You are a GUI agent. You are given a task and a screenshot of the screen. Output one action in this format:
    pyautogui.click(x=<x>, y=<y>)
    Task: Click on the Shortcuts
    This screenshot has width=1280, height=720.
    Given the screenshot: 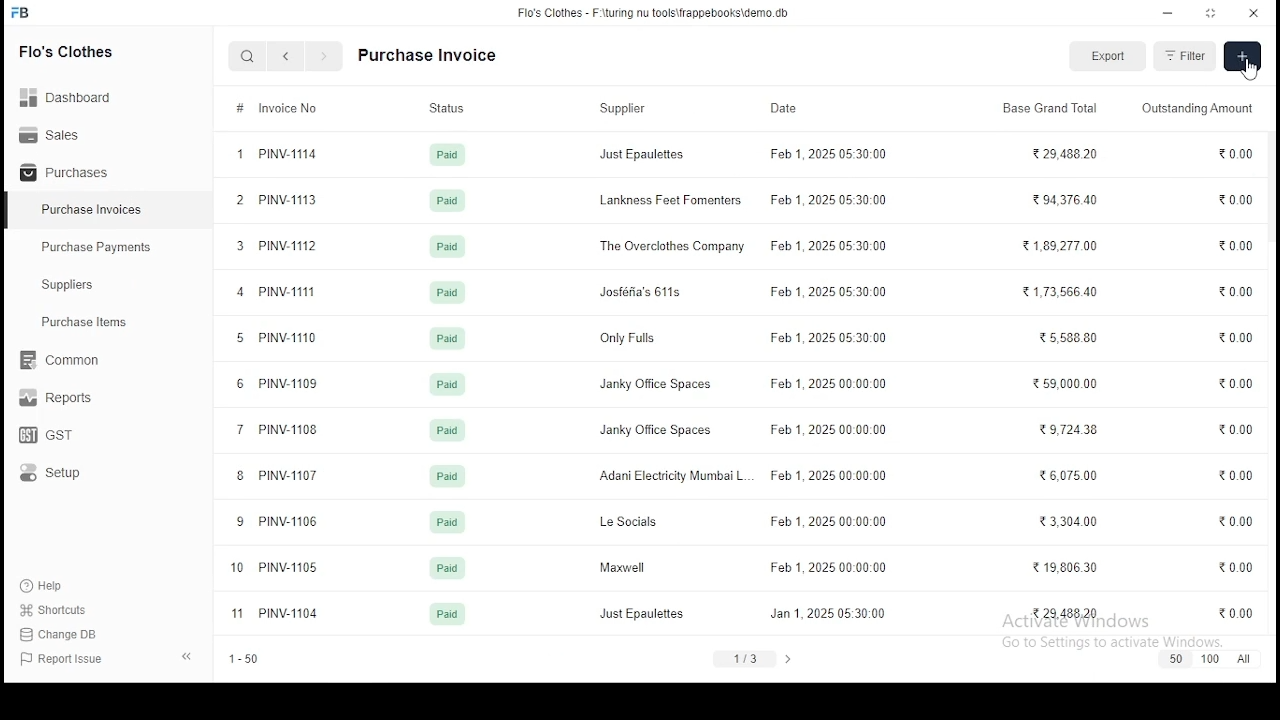 What is the action you would take?
    pyautogui.click(x=61, y=610)
    